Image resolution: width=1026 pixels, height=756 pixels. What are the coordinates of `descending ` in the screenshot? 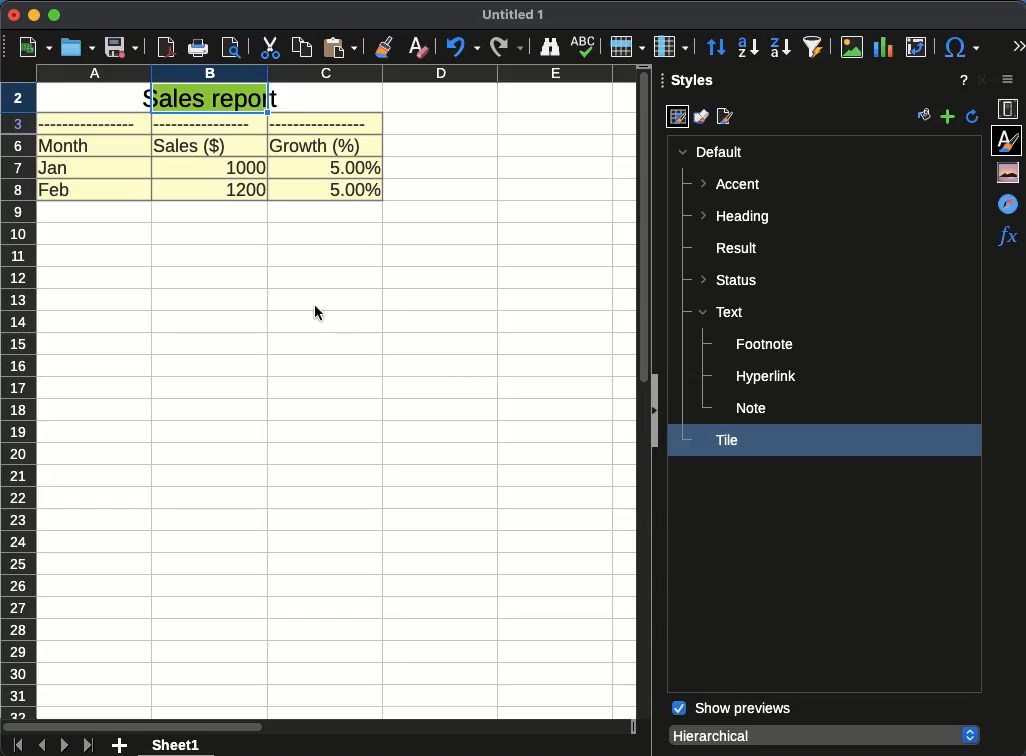 It's located at (781, 48).